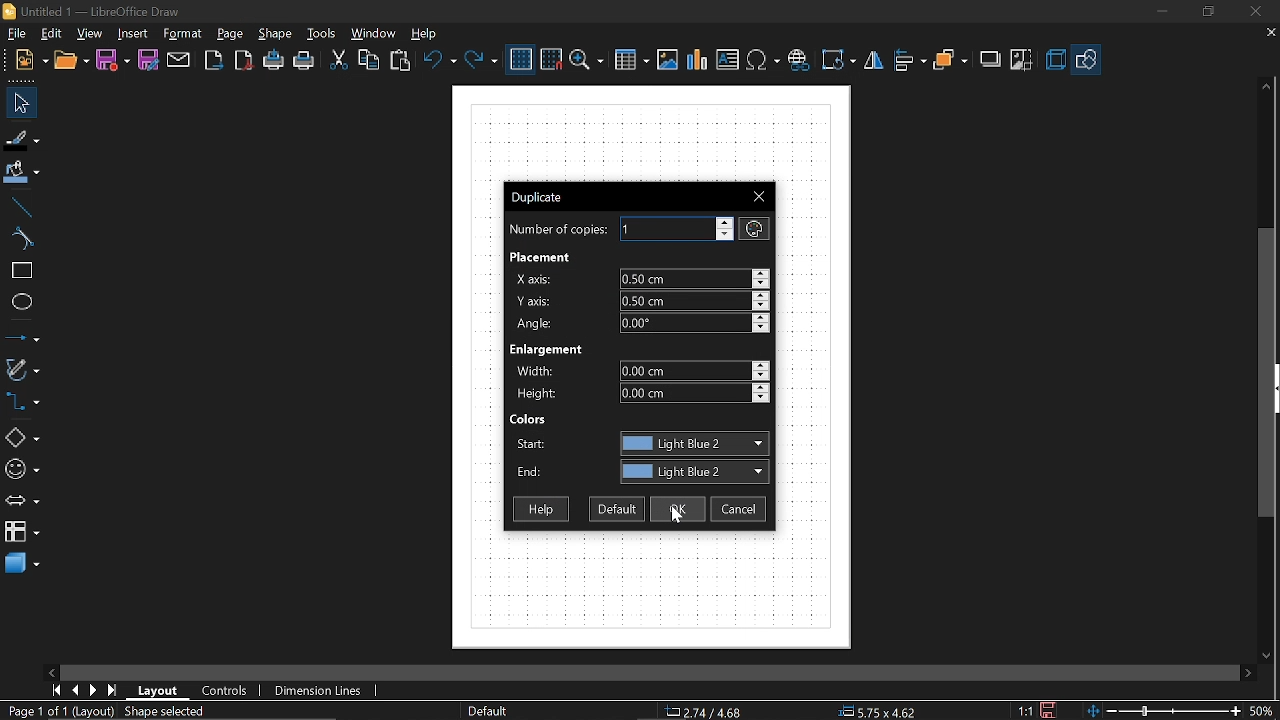 Image resolution: width=1280 pixels, height=720 pixels. I want to click on redo, so click(480, 61).